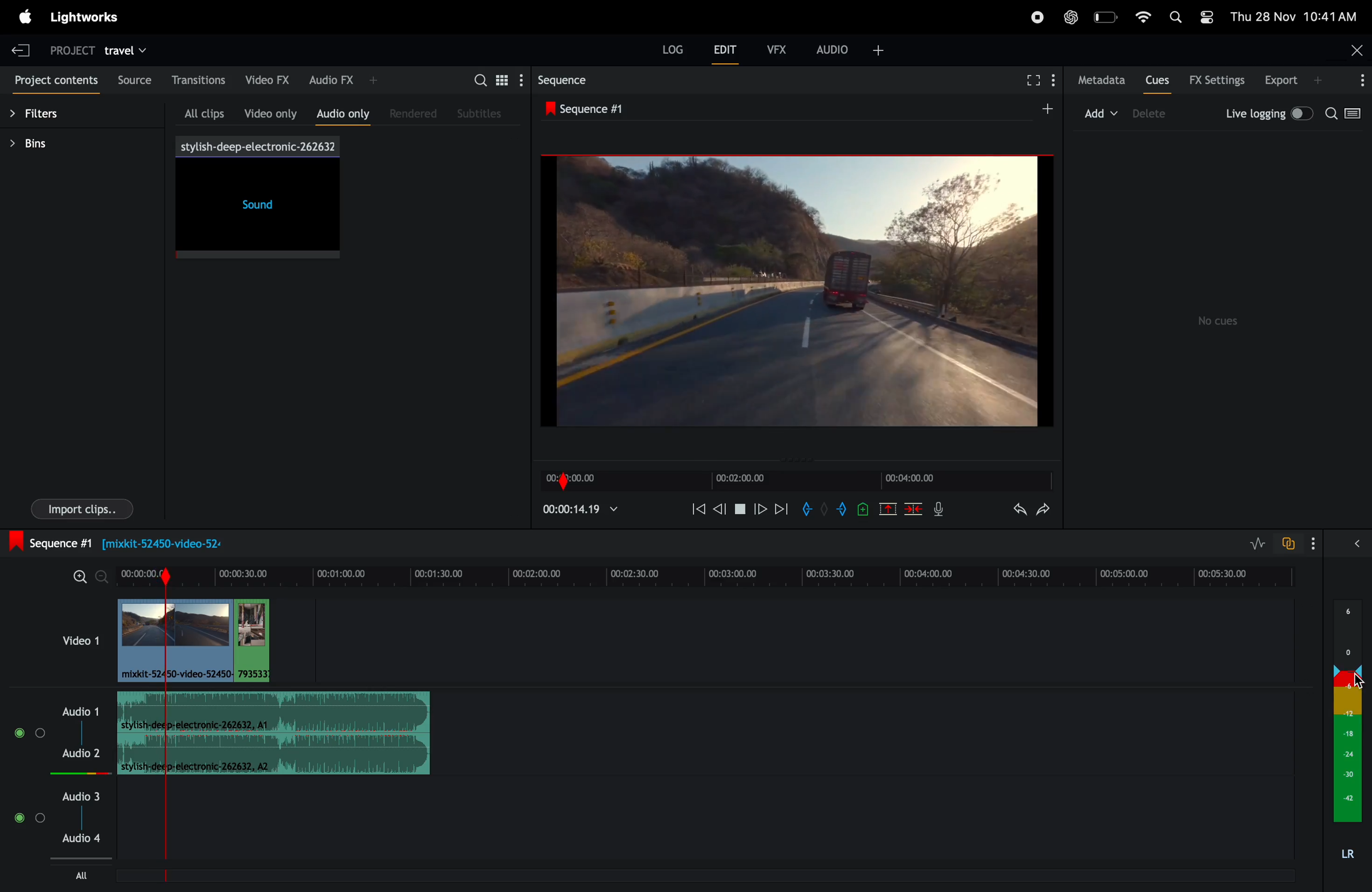  What do you see at coordinates (207, 638) in the screenshot?
I see `audio clips` at bounding box center [207, 638].